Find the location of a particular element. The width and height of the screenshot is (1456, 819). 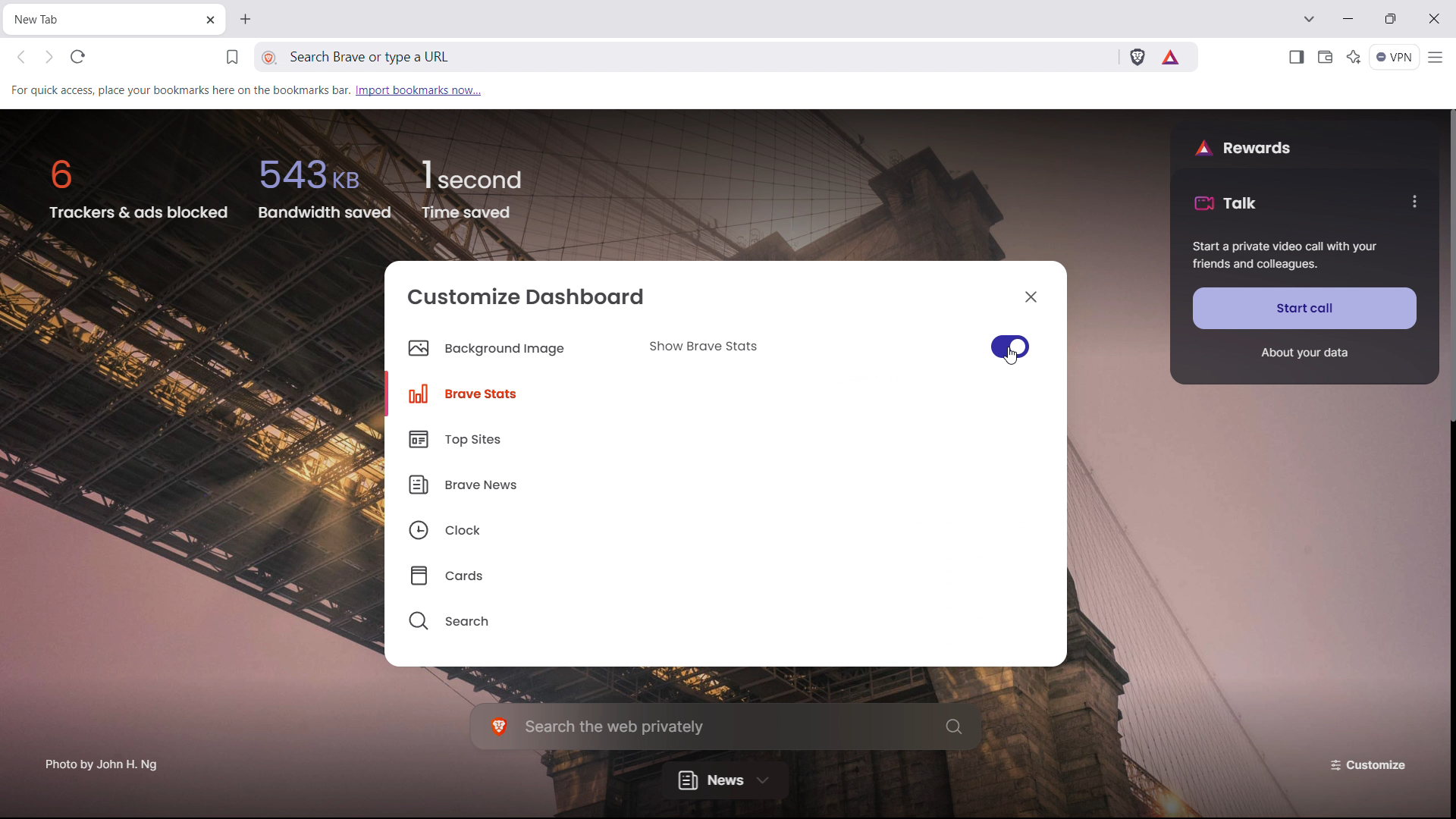

open sidebar is located at coordinates (1295, 58).